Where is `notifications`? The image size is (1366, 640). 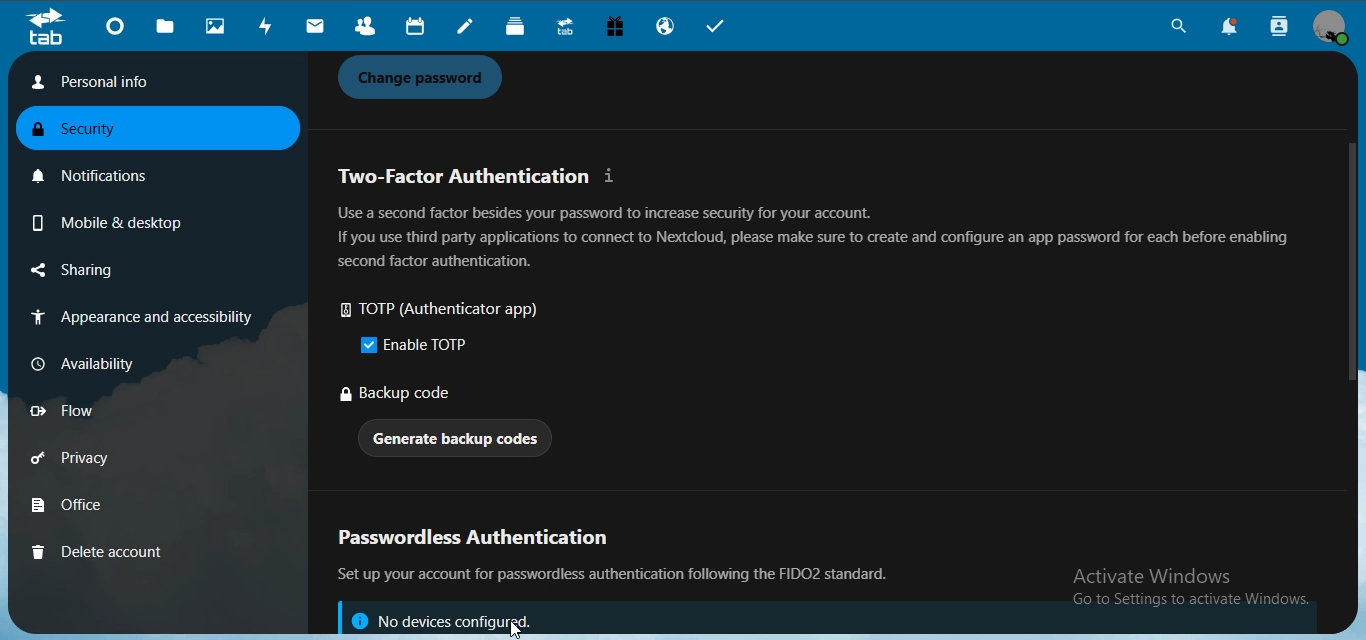 notifications is located at coordinates (101, 172).